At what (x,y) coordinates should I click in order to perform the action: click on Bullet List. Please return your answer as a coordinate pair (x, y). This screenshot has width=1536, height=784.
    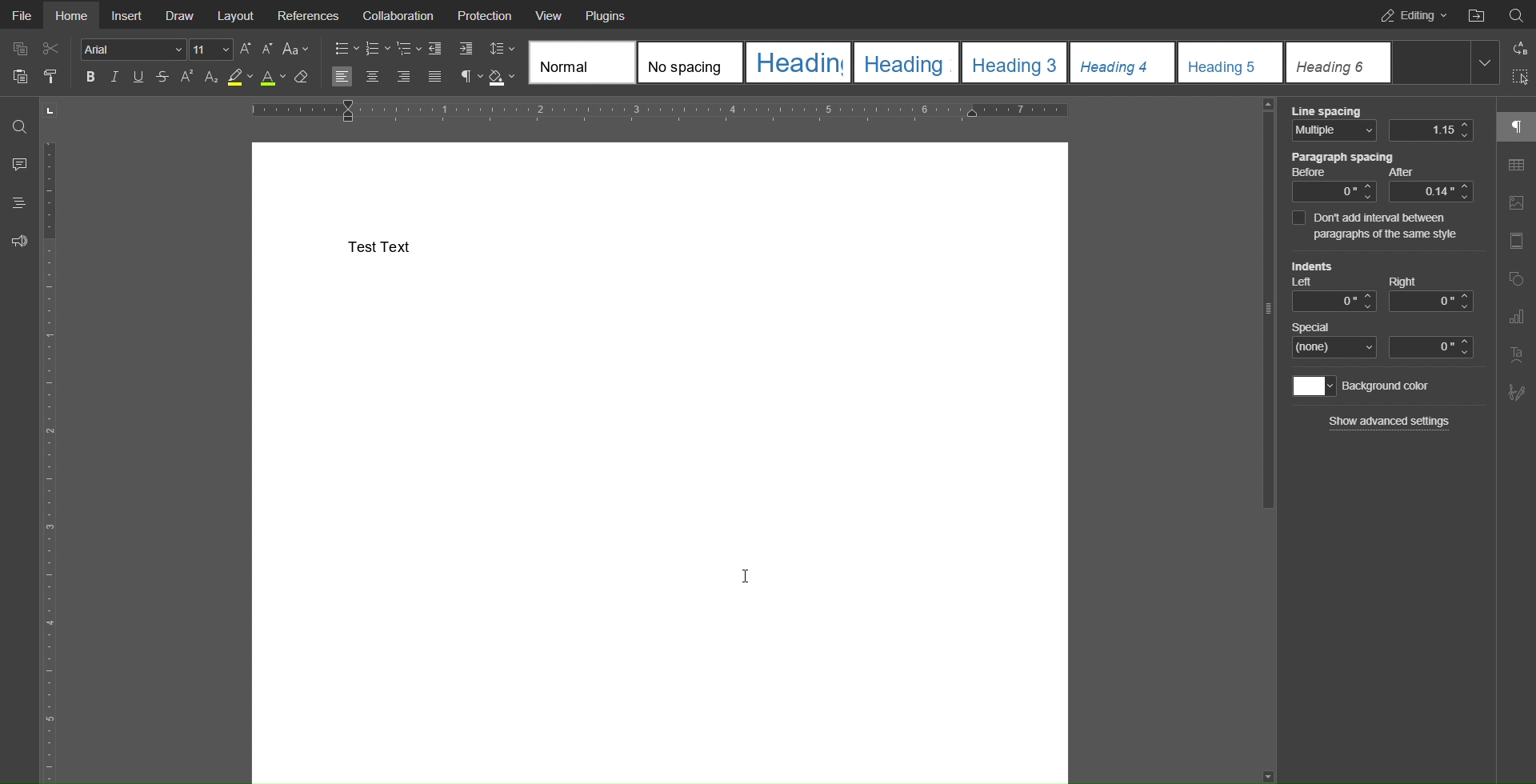
    Looking at the image, I should click on (346, 50).